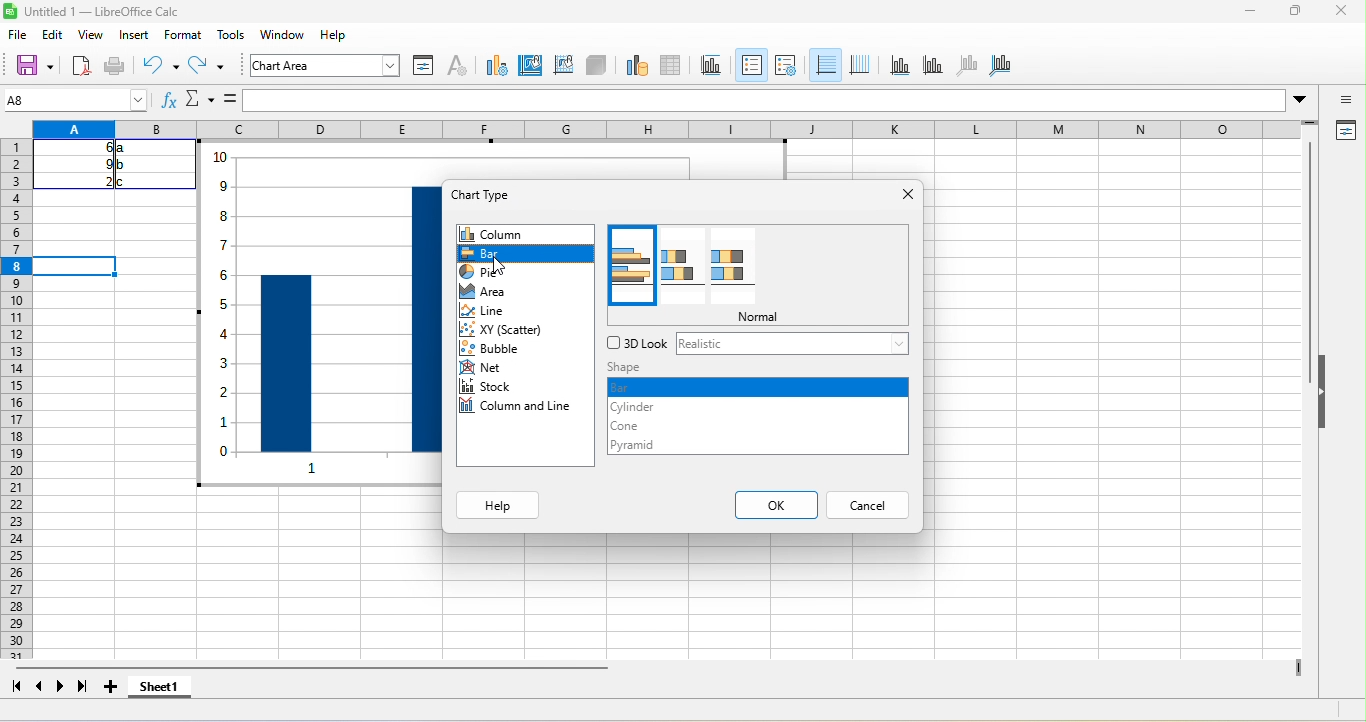  I want to click on add new sheet, so click(115, 687).